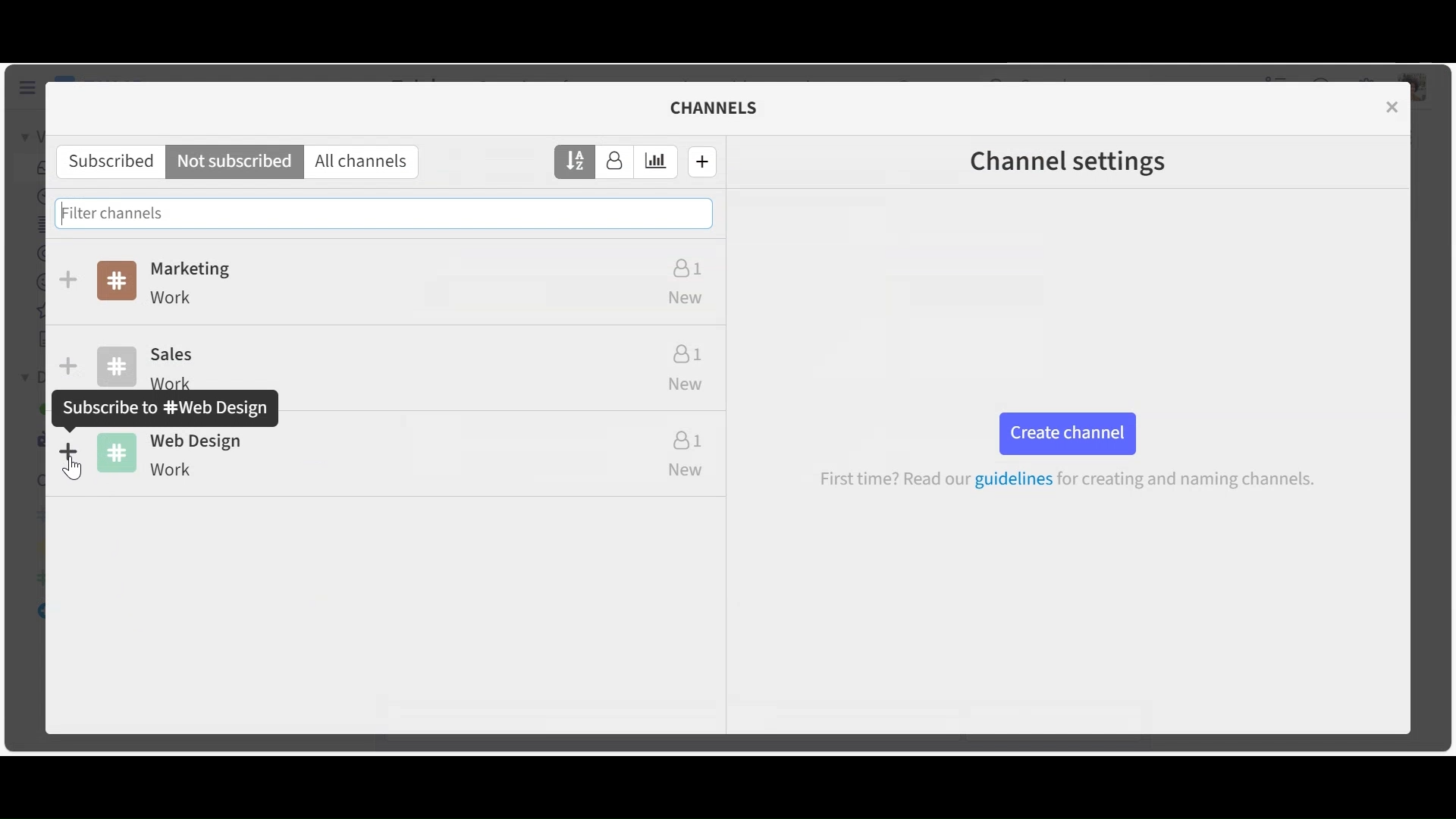 The height and width of the screenshot is (819, 1456). I want to click on subsribe pop up, so click(162, 409).